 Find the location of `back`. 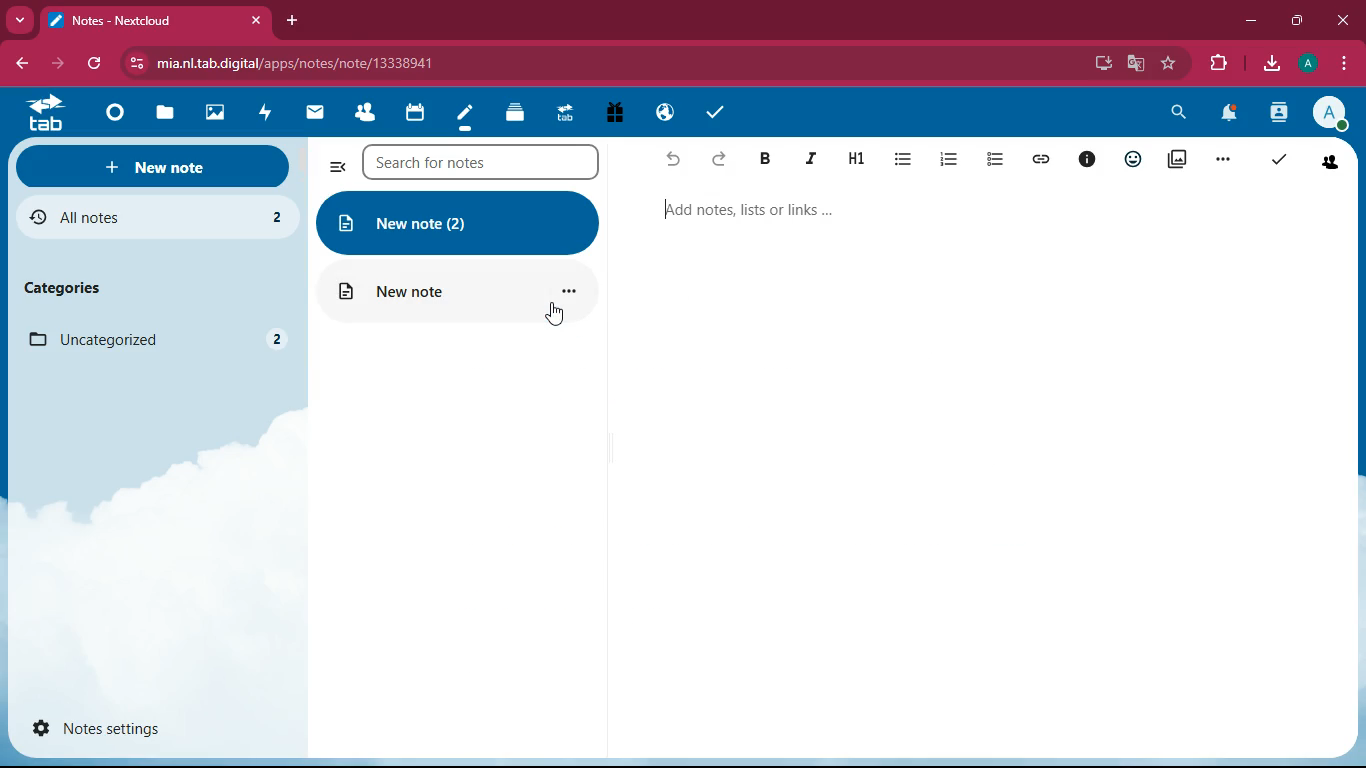

back is located at coordinates (16, 62).